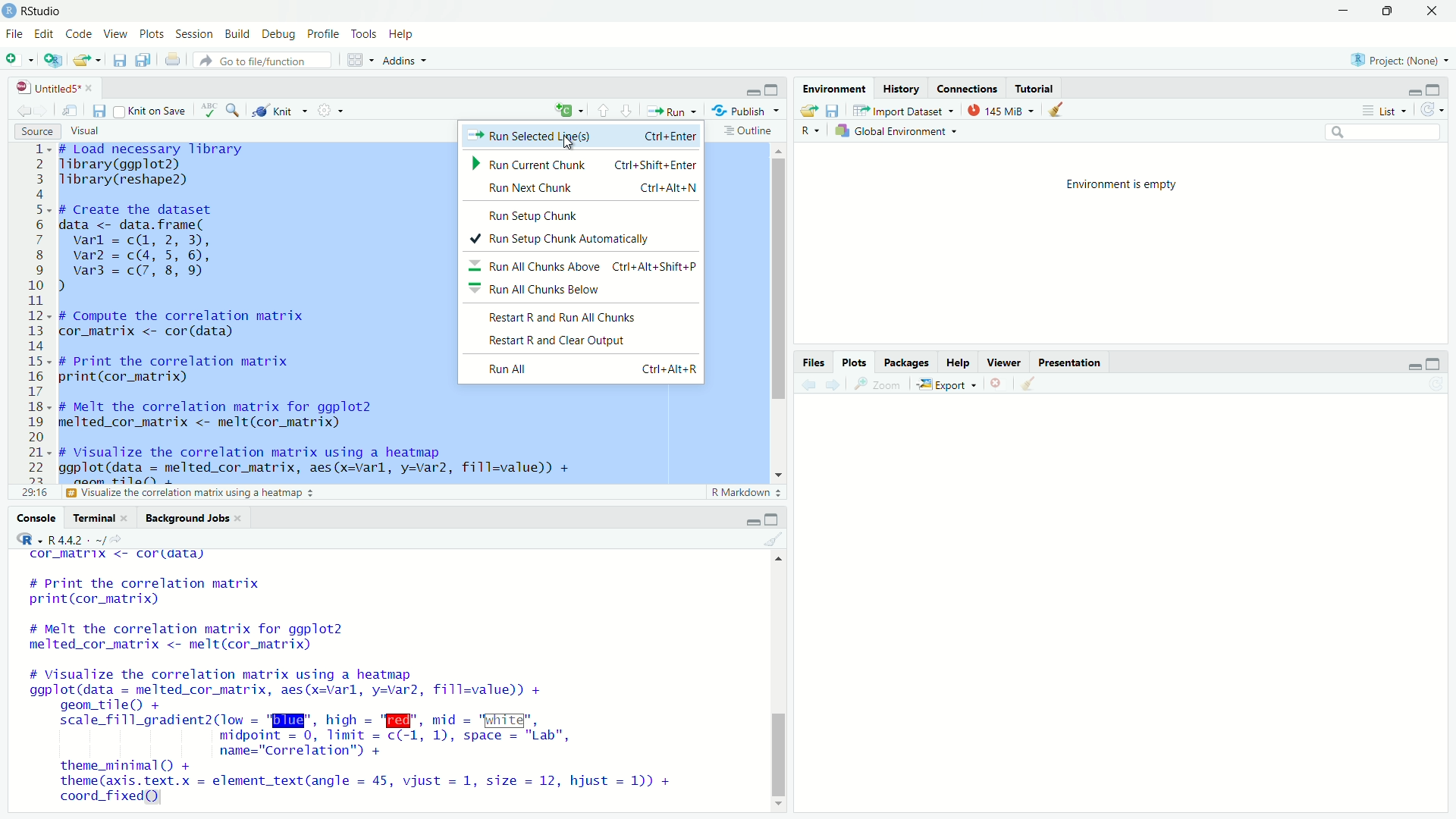  What do you see at coordinates (24, 109) in the screenshot?
I see `go previous` at bounding box center [24, 109].